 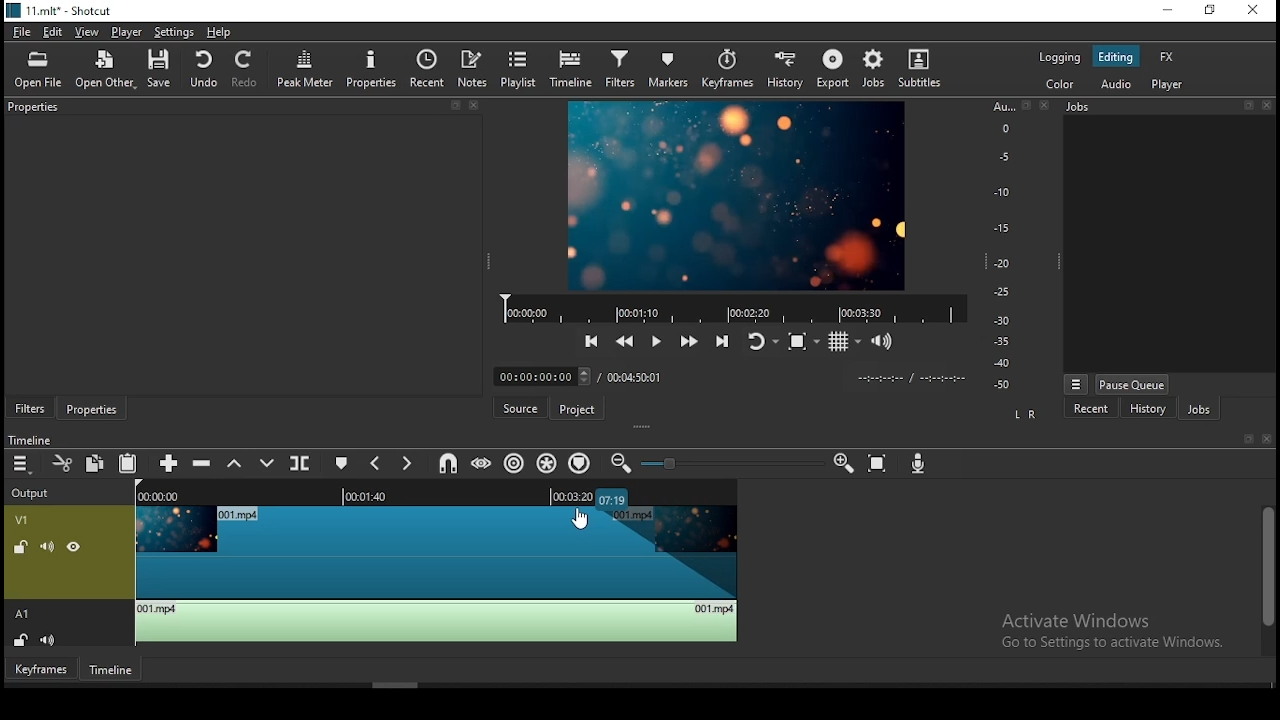 I want to click on append, so click(x=169, y=462).